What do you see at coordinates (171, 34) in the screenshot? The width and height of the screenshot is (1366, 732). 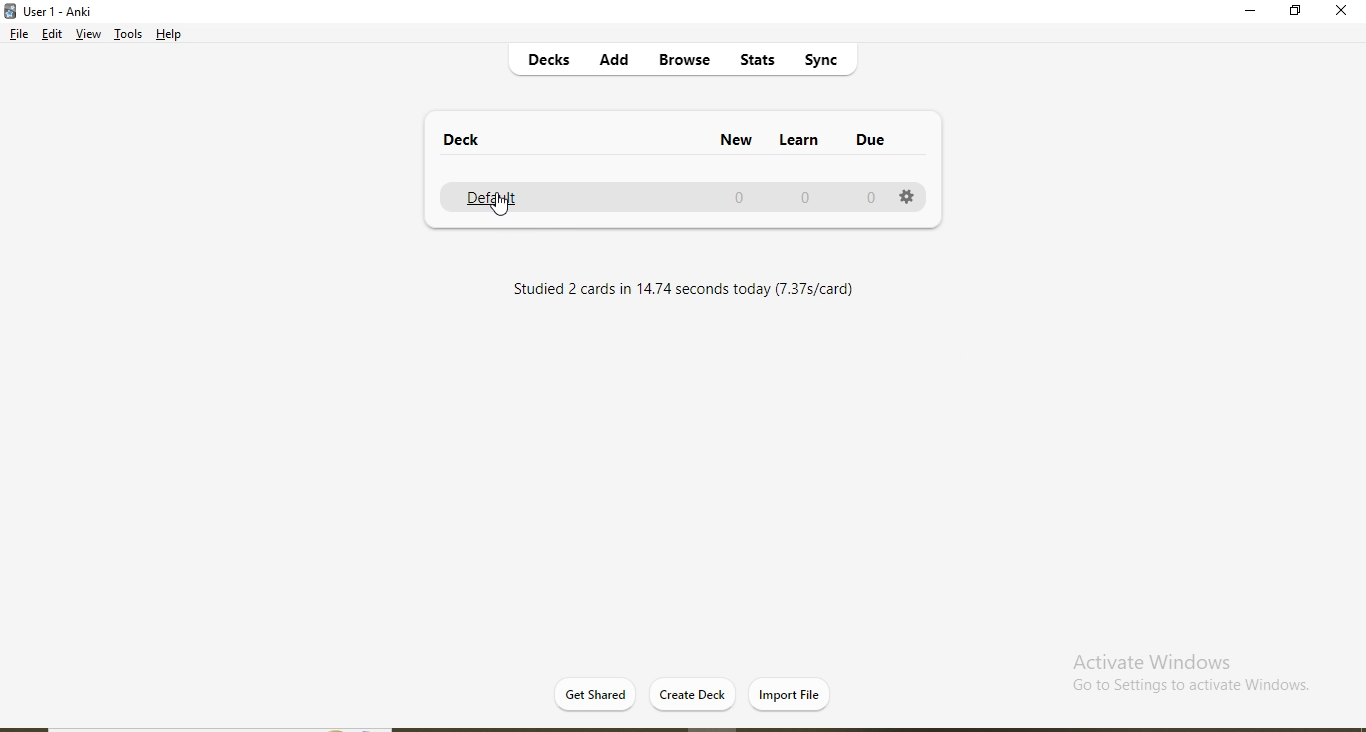 I see `help` at bounding box center [171, 34].